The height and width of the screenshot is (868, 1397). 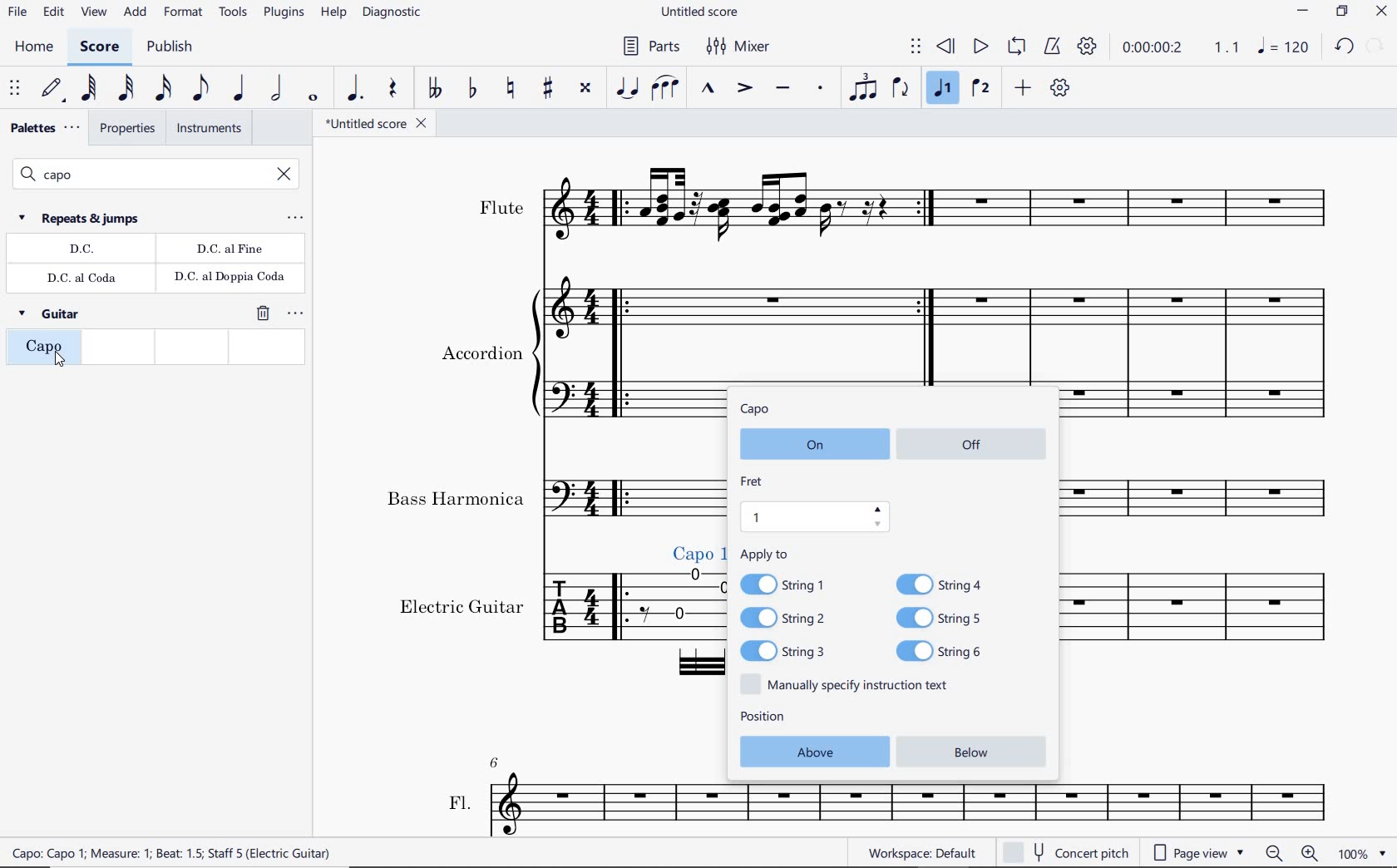 I want to click on FL, so click(x=532, y=796).